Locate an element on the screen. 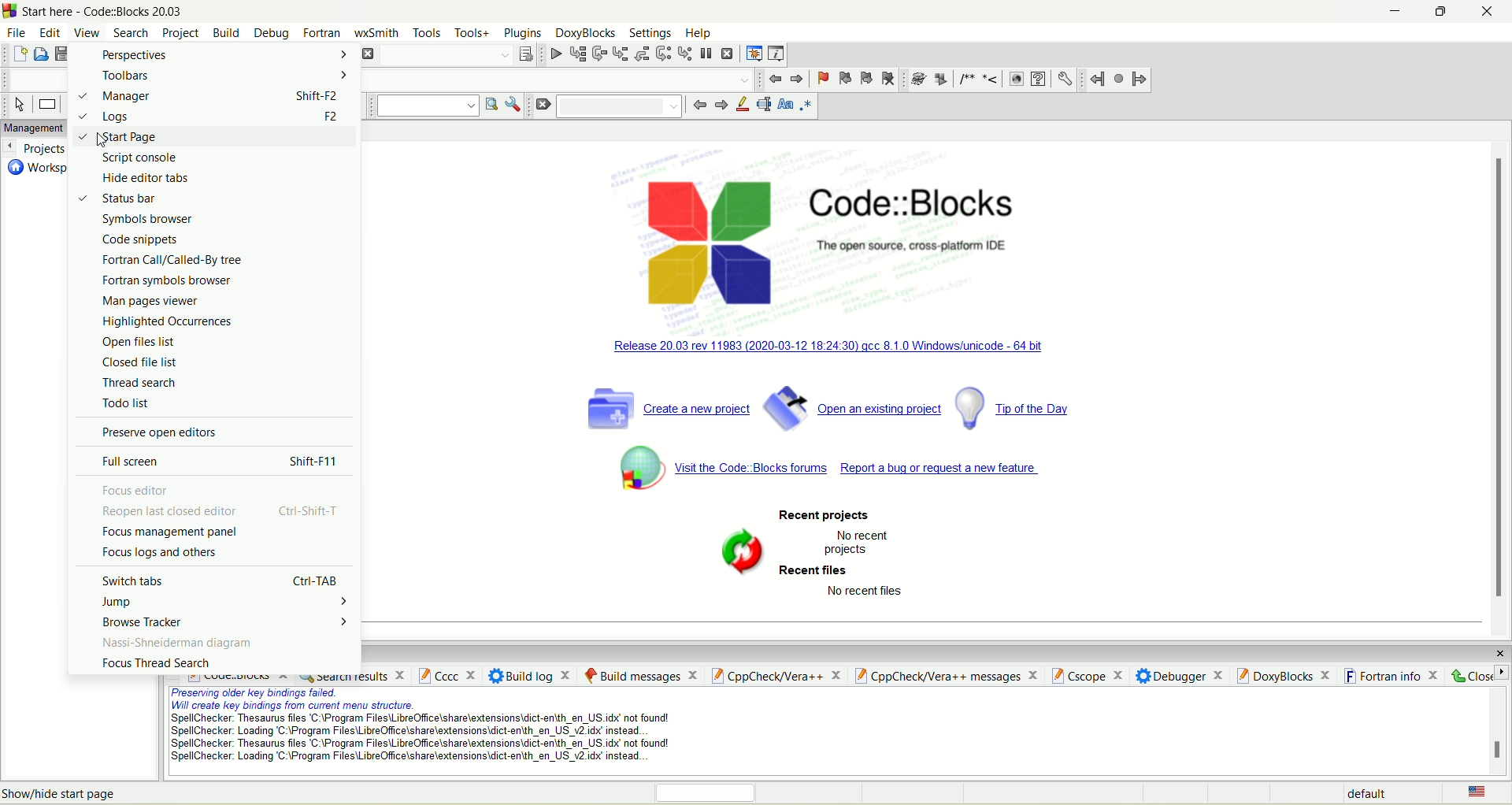 The image size is (1512, 805). focus editor is located at coordinates (135, 490).